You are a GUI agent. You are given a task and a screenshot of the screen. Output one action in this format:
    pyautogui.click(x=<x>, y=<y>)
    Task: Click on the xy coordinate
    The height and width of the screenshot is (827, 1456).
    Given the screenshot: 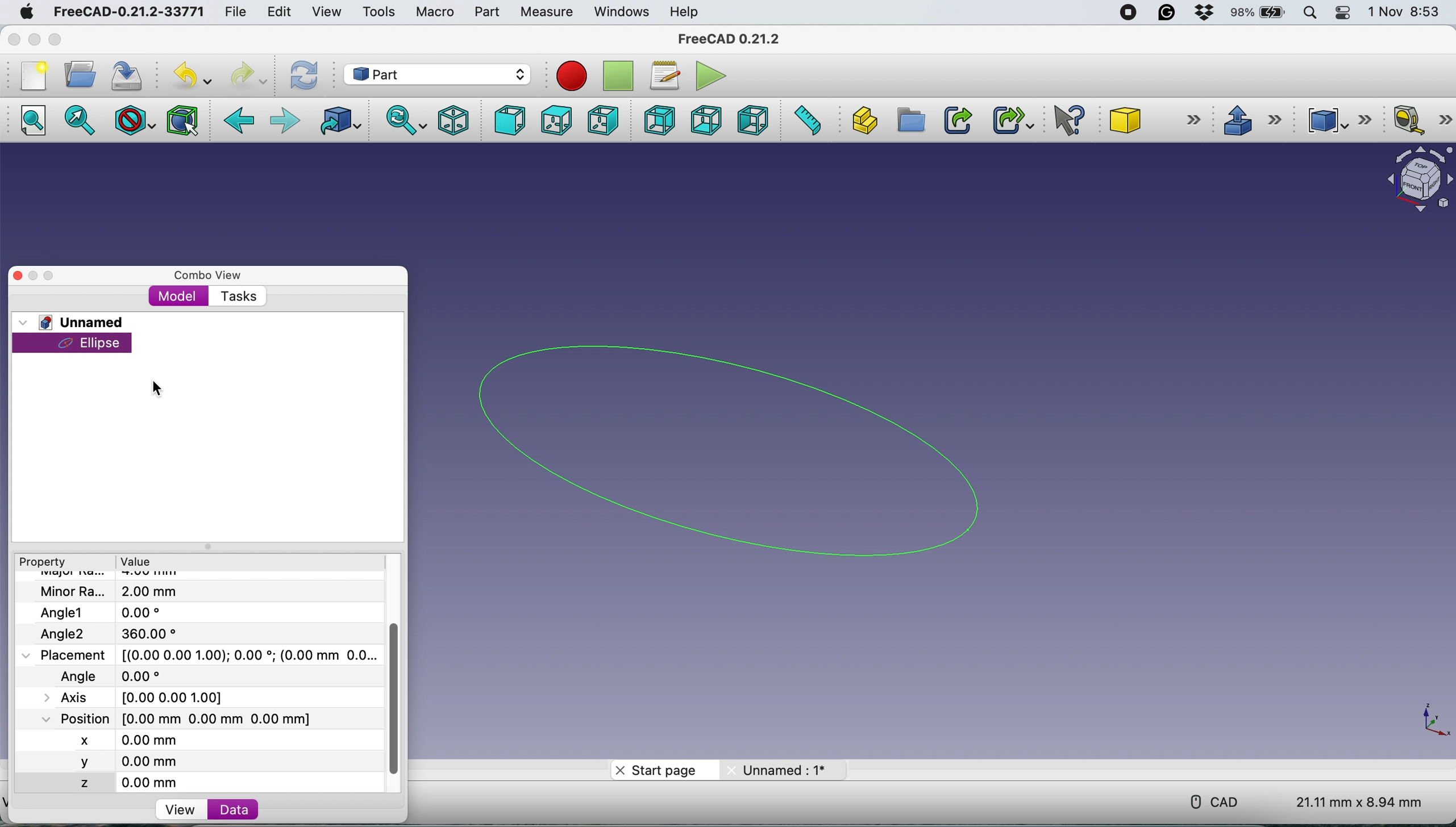 What is the action you would take?
    pyautogui.click(x=1432, y=724)
    